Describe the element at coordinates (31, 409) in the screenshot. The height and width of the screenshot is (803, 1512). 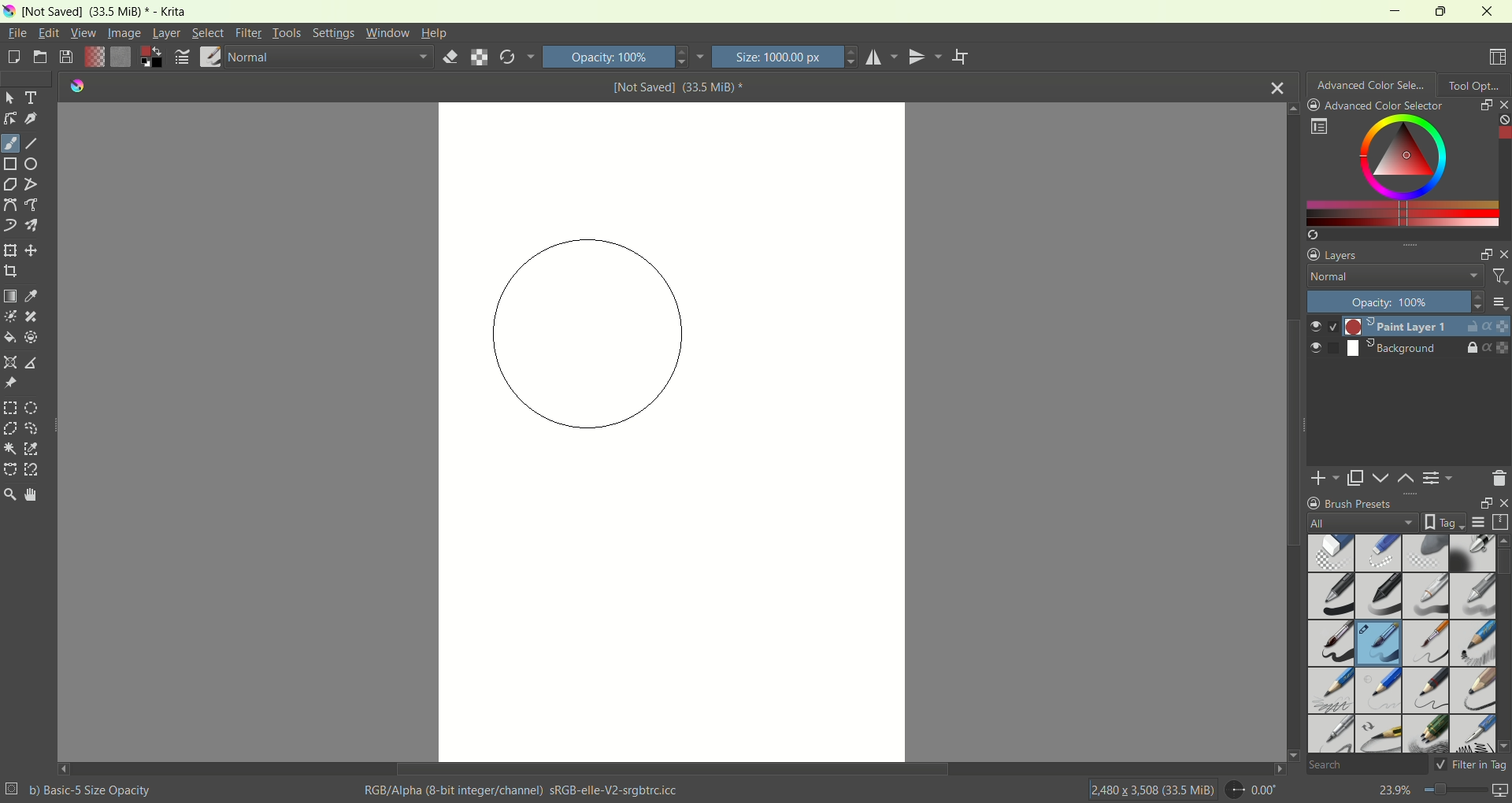
I see `elliptical selection` at that location.